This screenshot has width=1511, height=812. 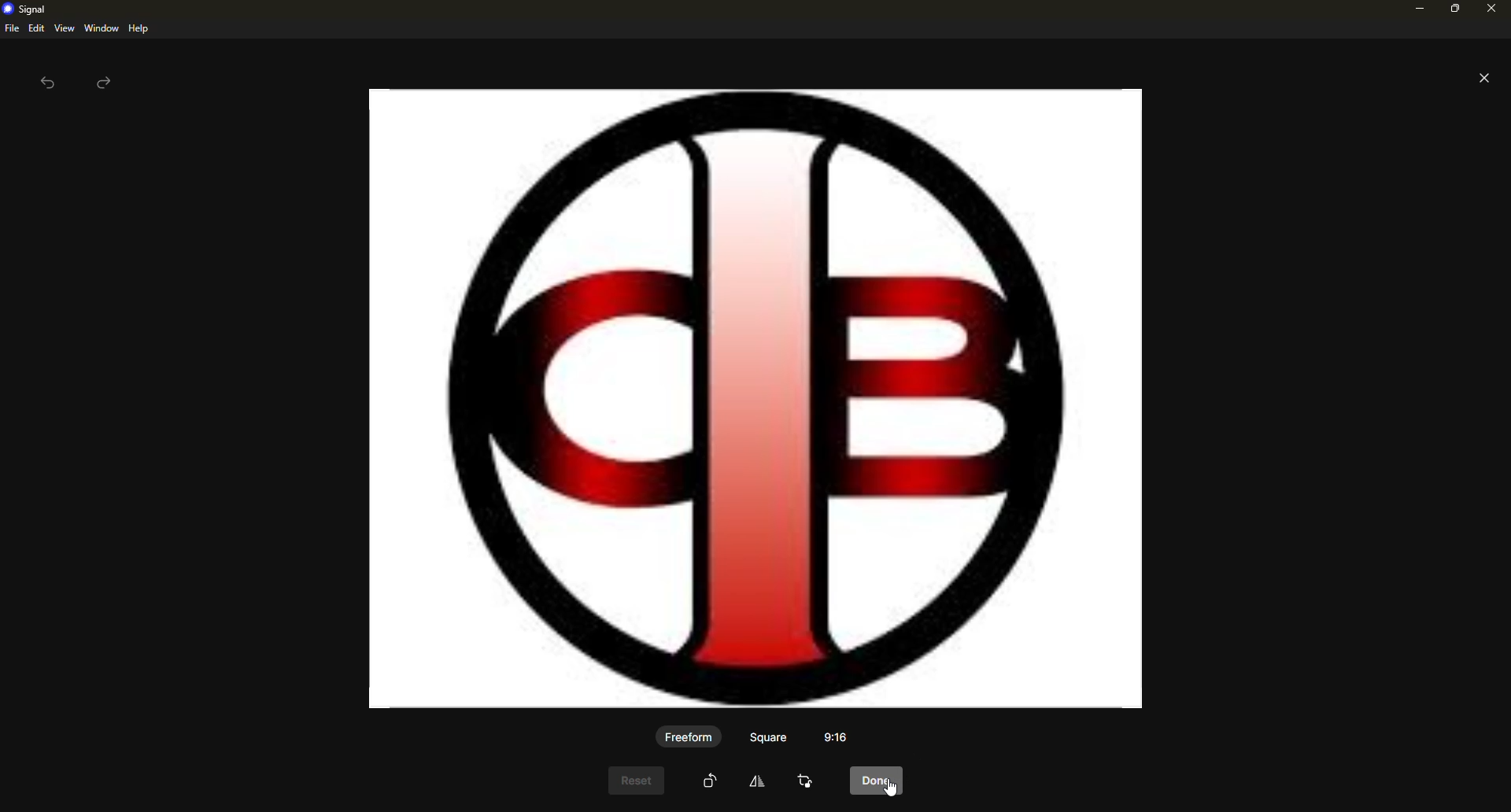 What do you see at coordinates (807, 782) in the screenshot?
I see `crop` at bounding box center [807, 782].